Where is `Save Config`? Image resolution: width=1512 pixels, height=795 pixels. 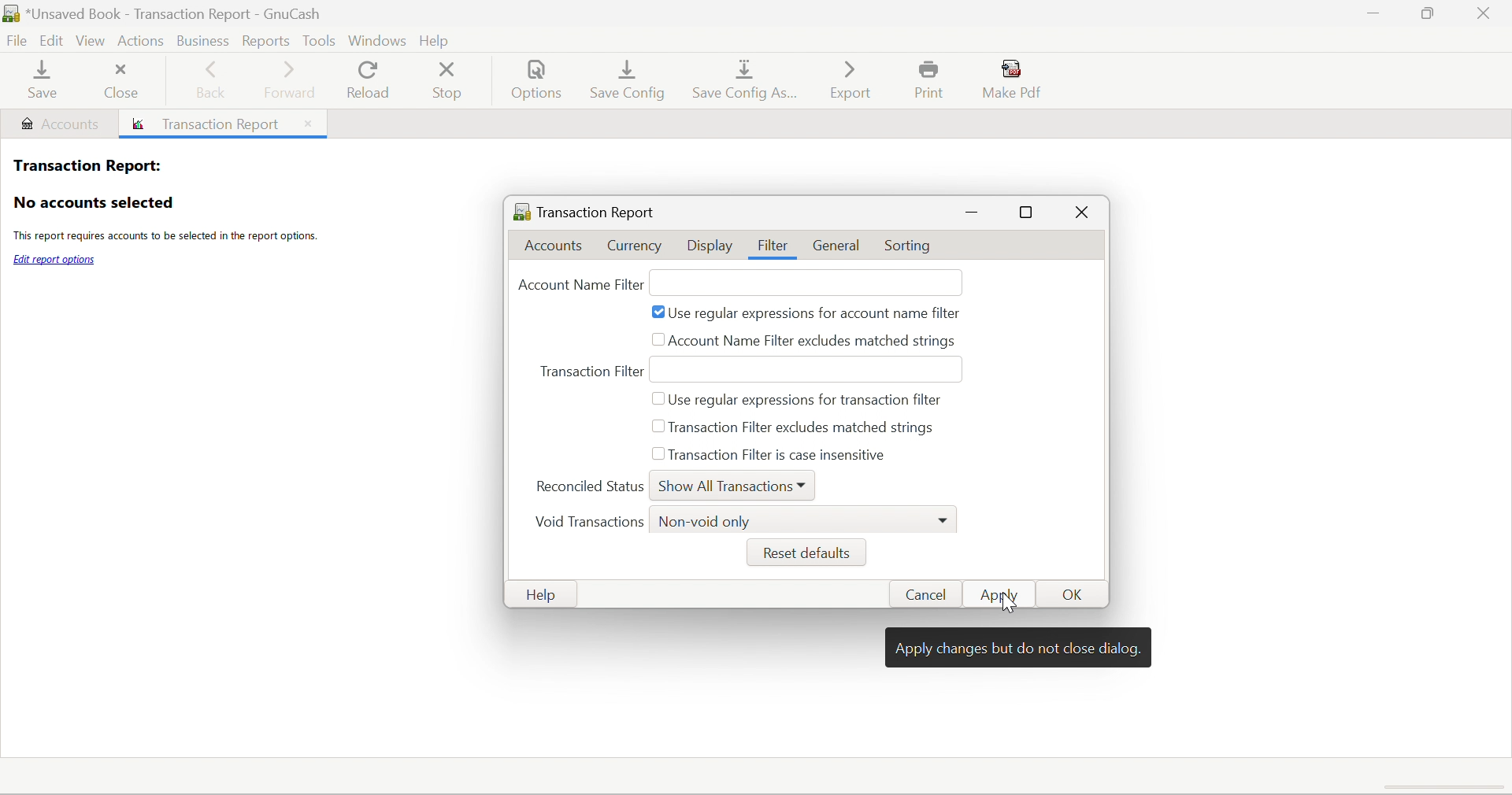
Save Config is located at coordinates (630, 79).